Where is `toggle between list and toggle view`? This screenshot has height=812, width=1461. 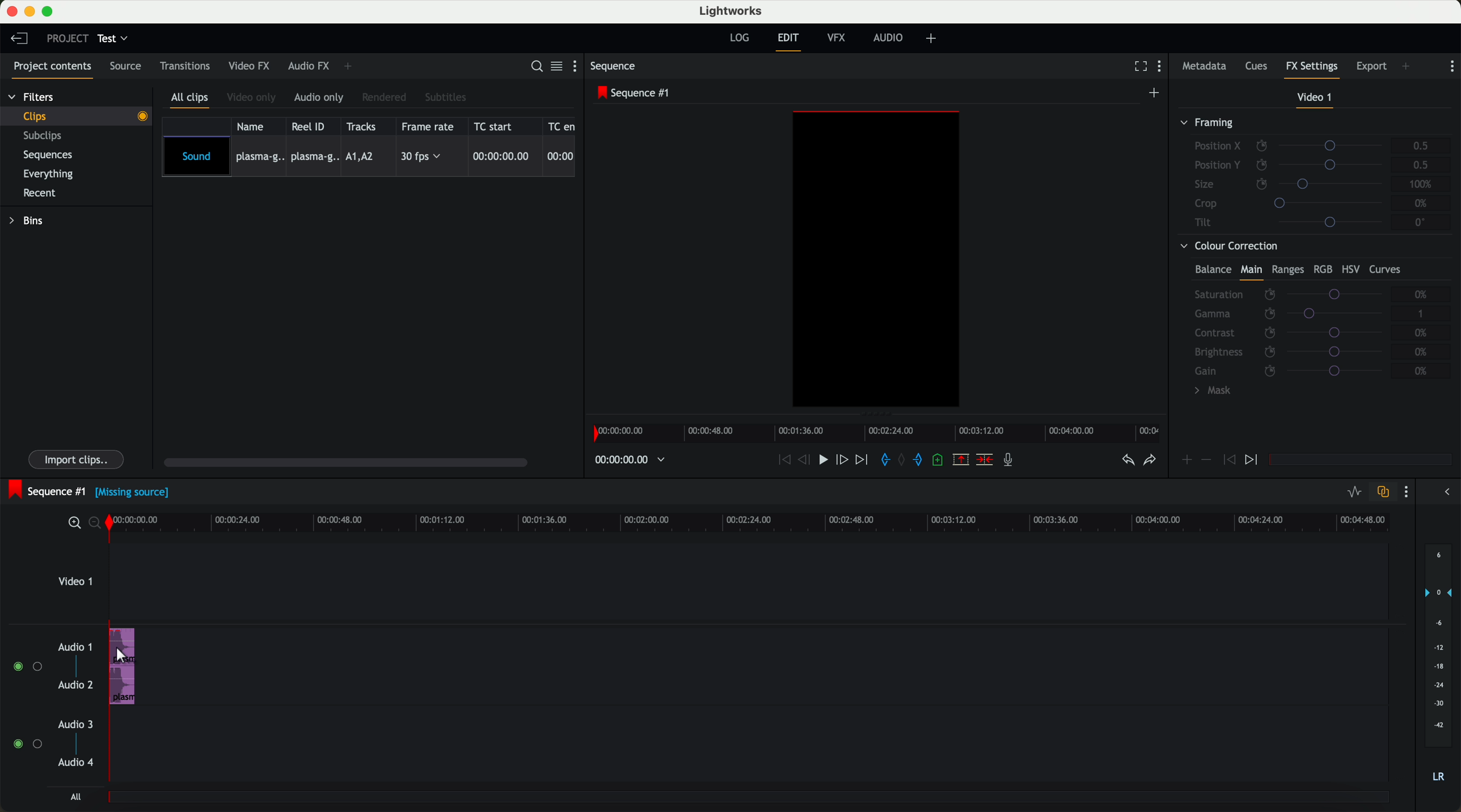
toggle between list and toggle view is located at coordinates (558, 67).